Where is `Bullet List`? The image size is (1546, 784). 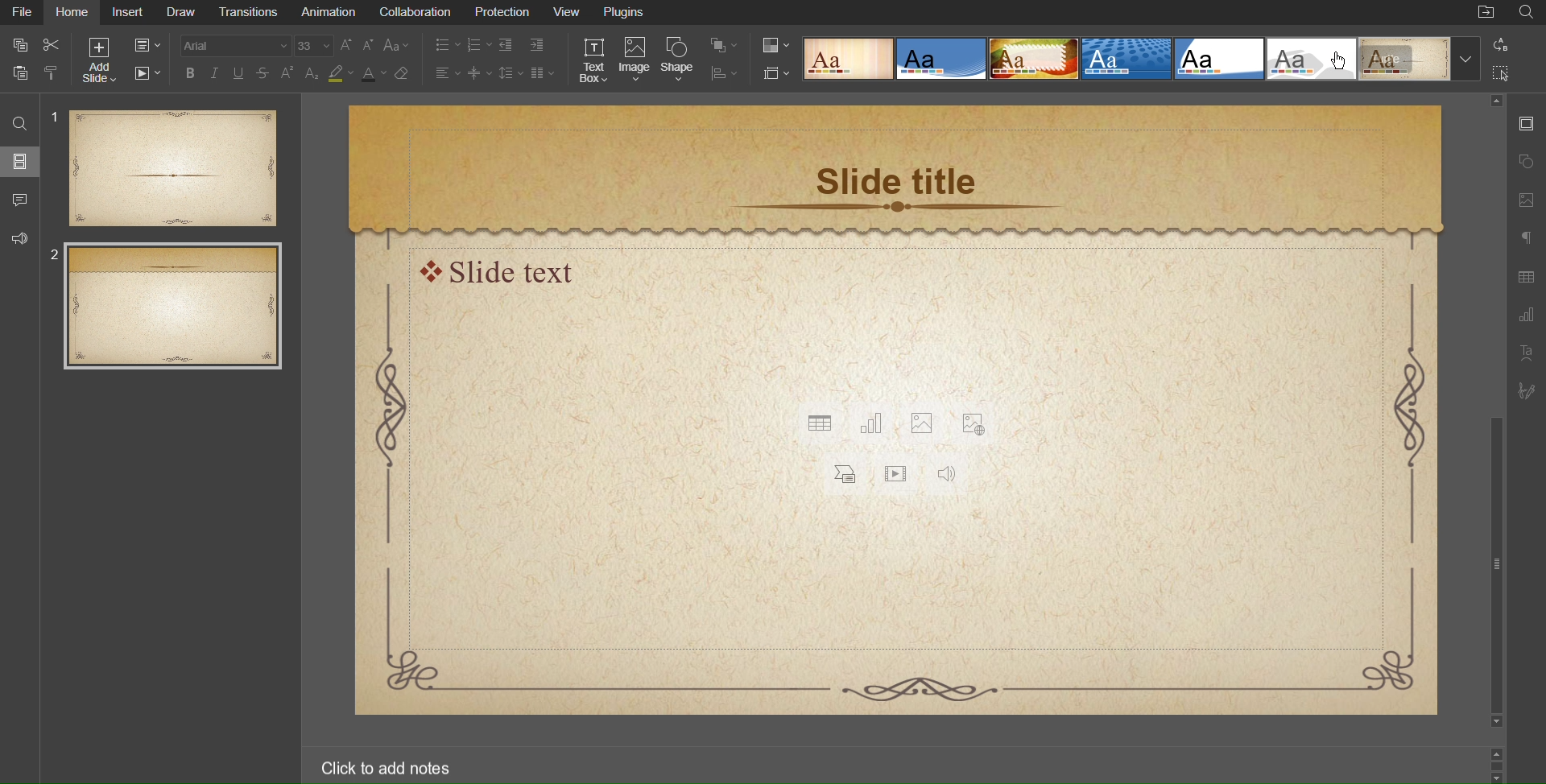
Bullet List is located at coordinates (448, 47).